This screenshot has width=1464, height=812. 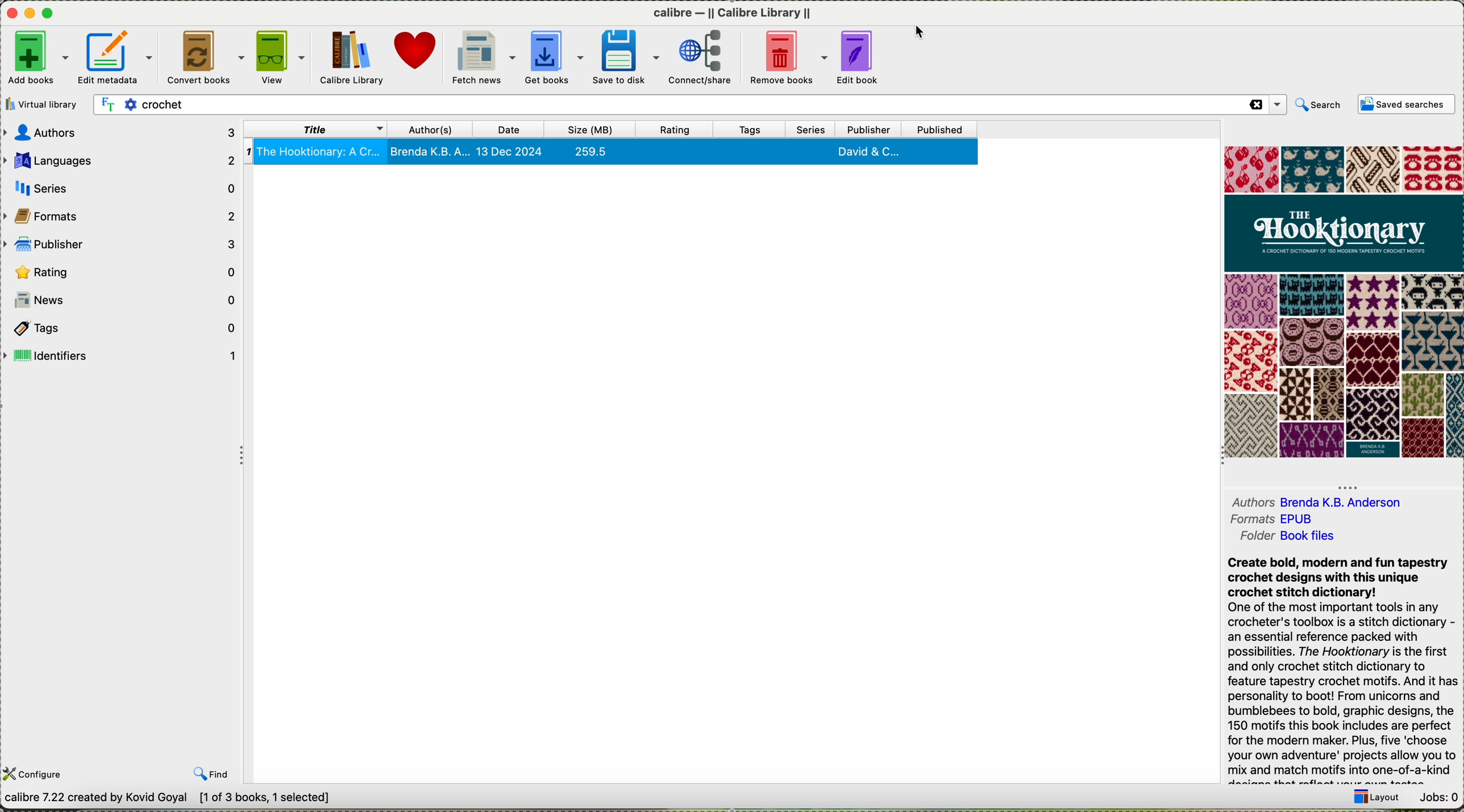 I want to click on news, so click(x=122, y=299).